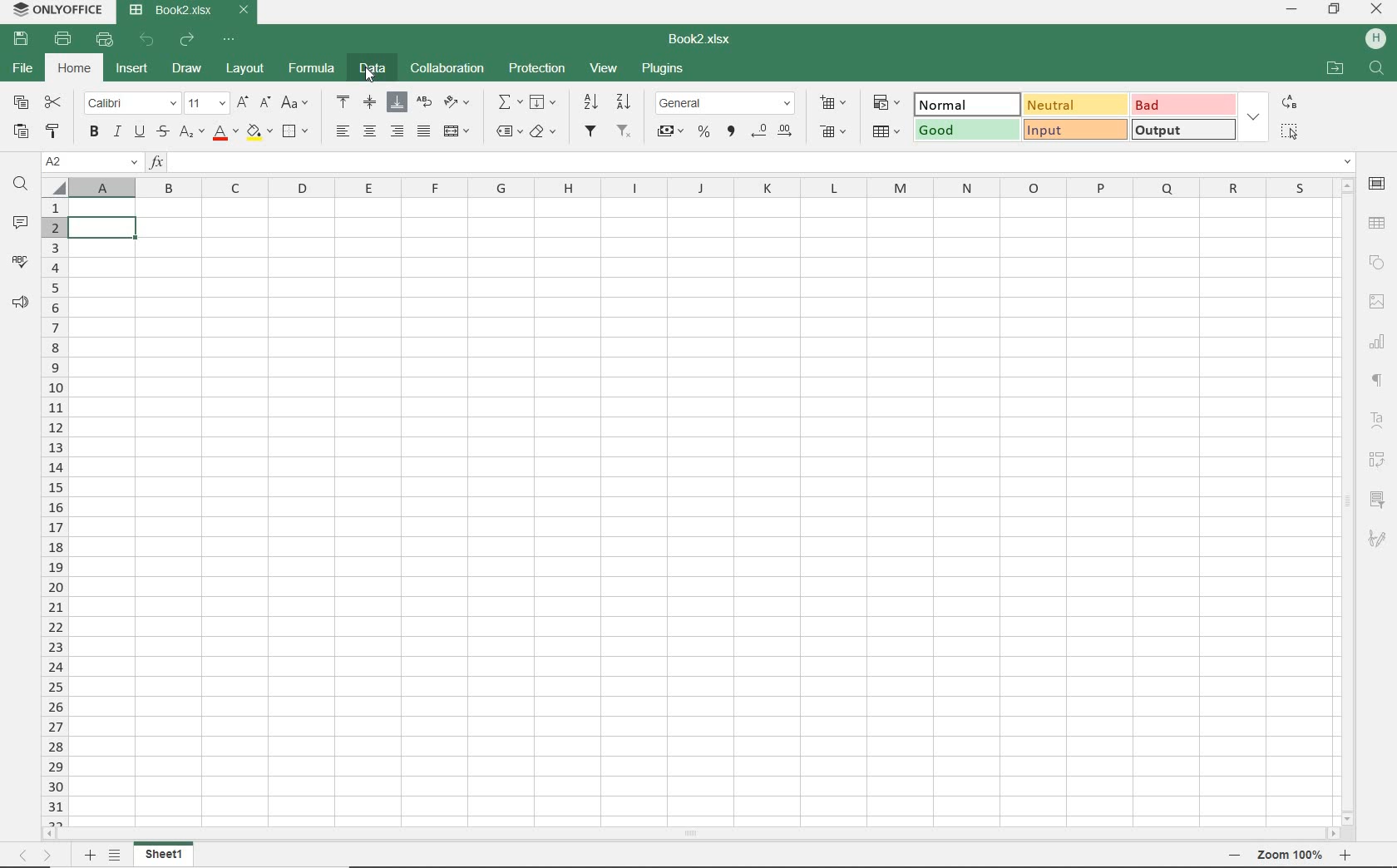 The width and height of the screenshot is (1397, 868). I want to click on RESTORE DOWN, so click(1336, 11).